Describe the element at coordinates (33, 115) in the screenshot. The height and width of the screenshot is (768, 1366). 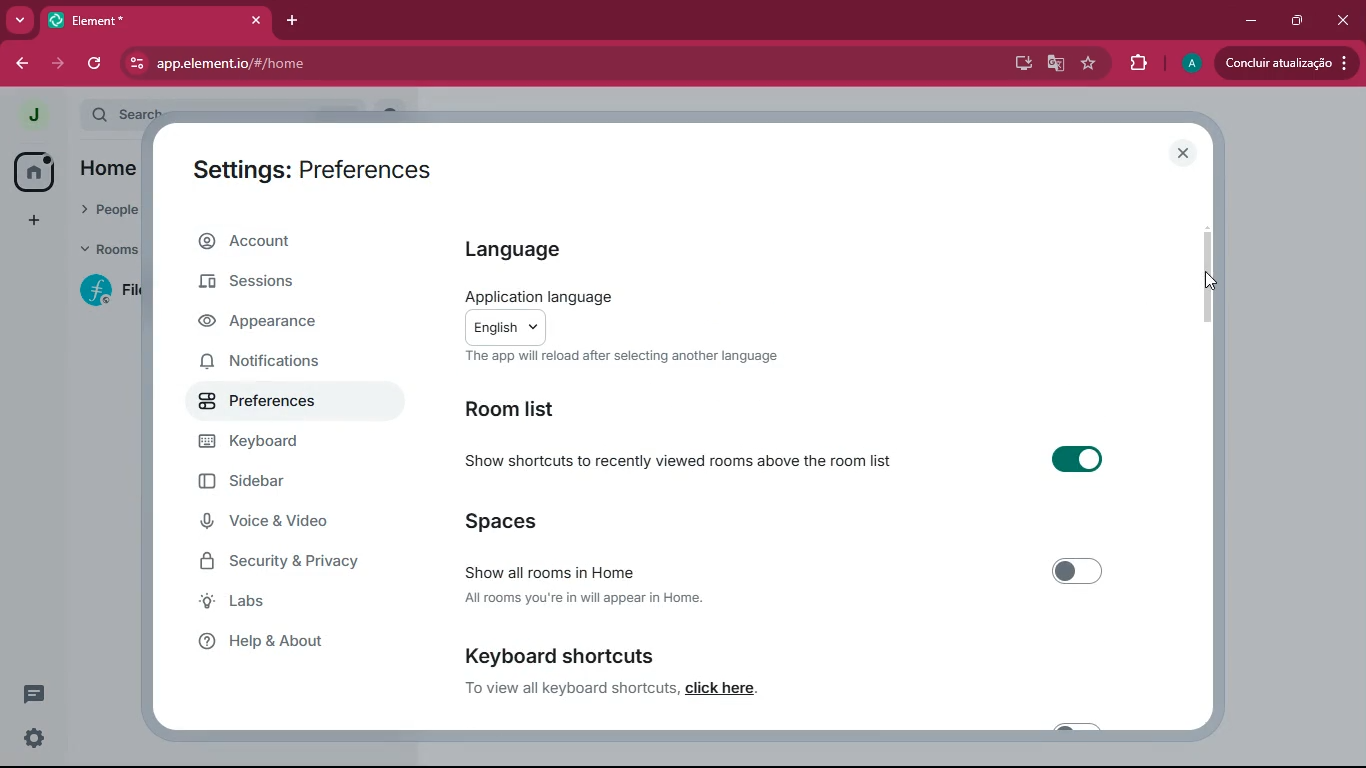
I see `profile picture` at that location.